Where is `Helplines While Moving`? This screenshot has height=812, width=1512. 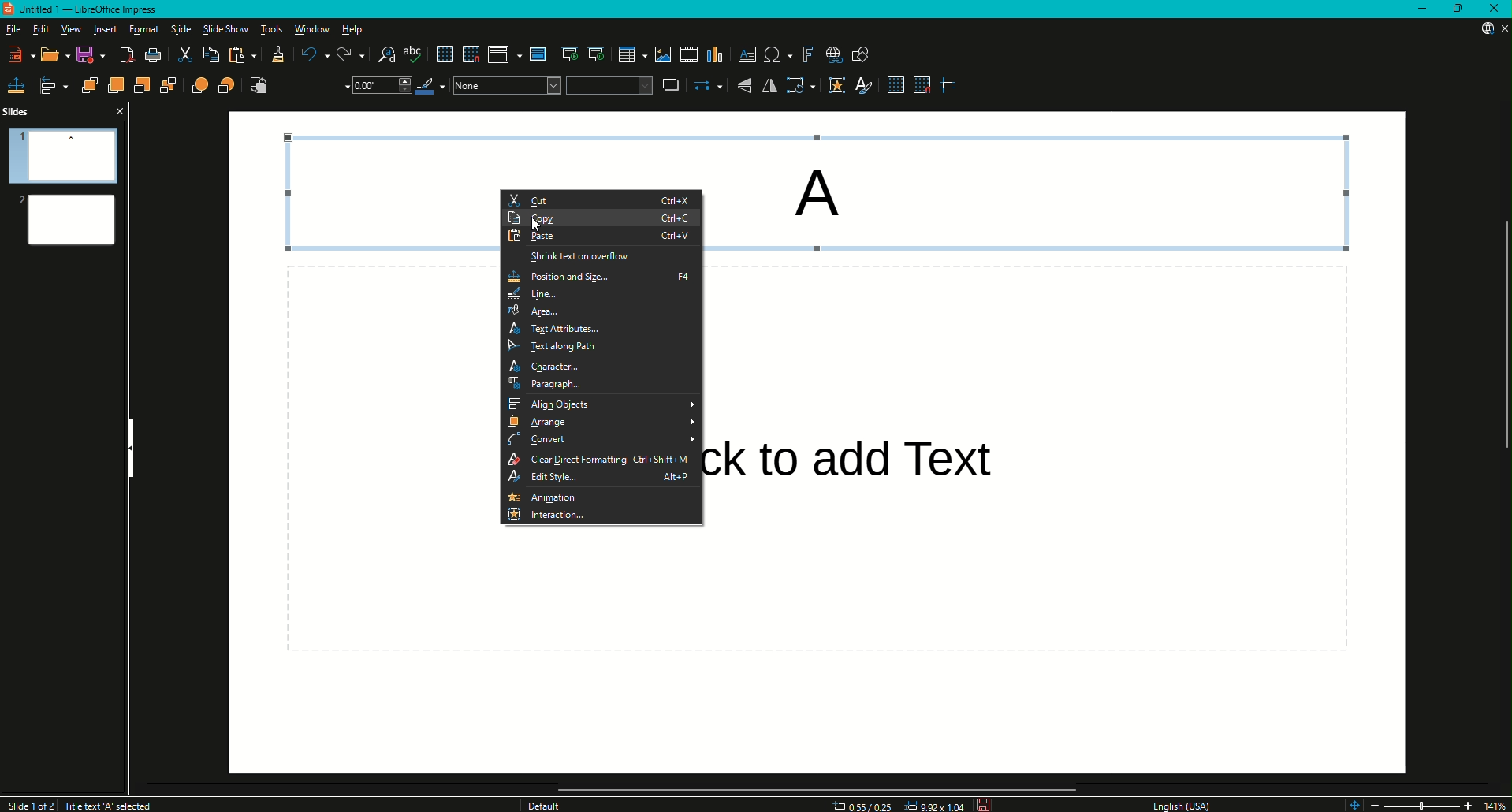
Helplines While Moving is located at coordinates (953, 86).